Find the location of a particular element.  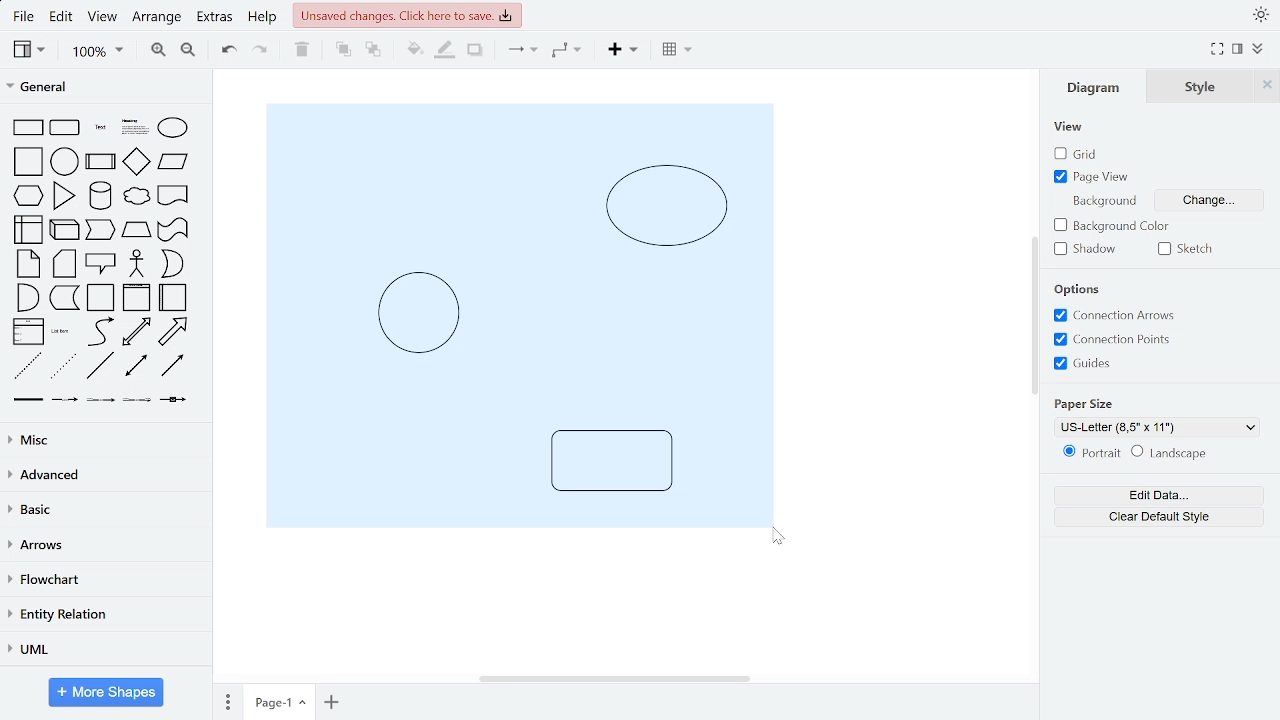

hexagon is located at coordinates (29, 194).